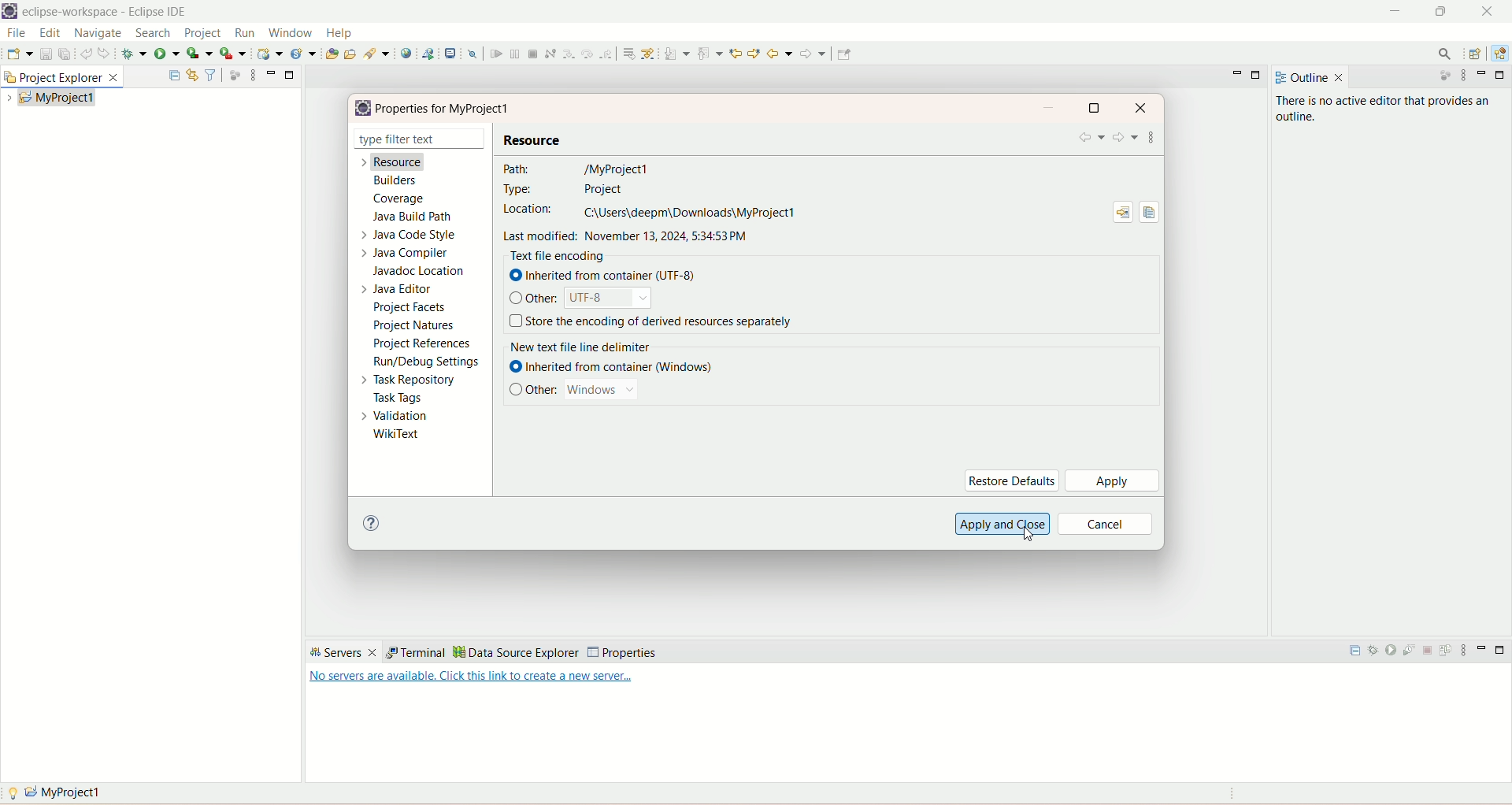  I want to click on back, so click(780, 54).